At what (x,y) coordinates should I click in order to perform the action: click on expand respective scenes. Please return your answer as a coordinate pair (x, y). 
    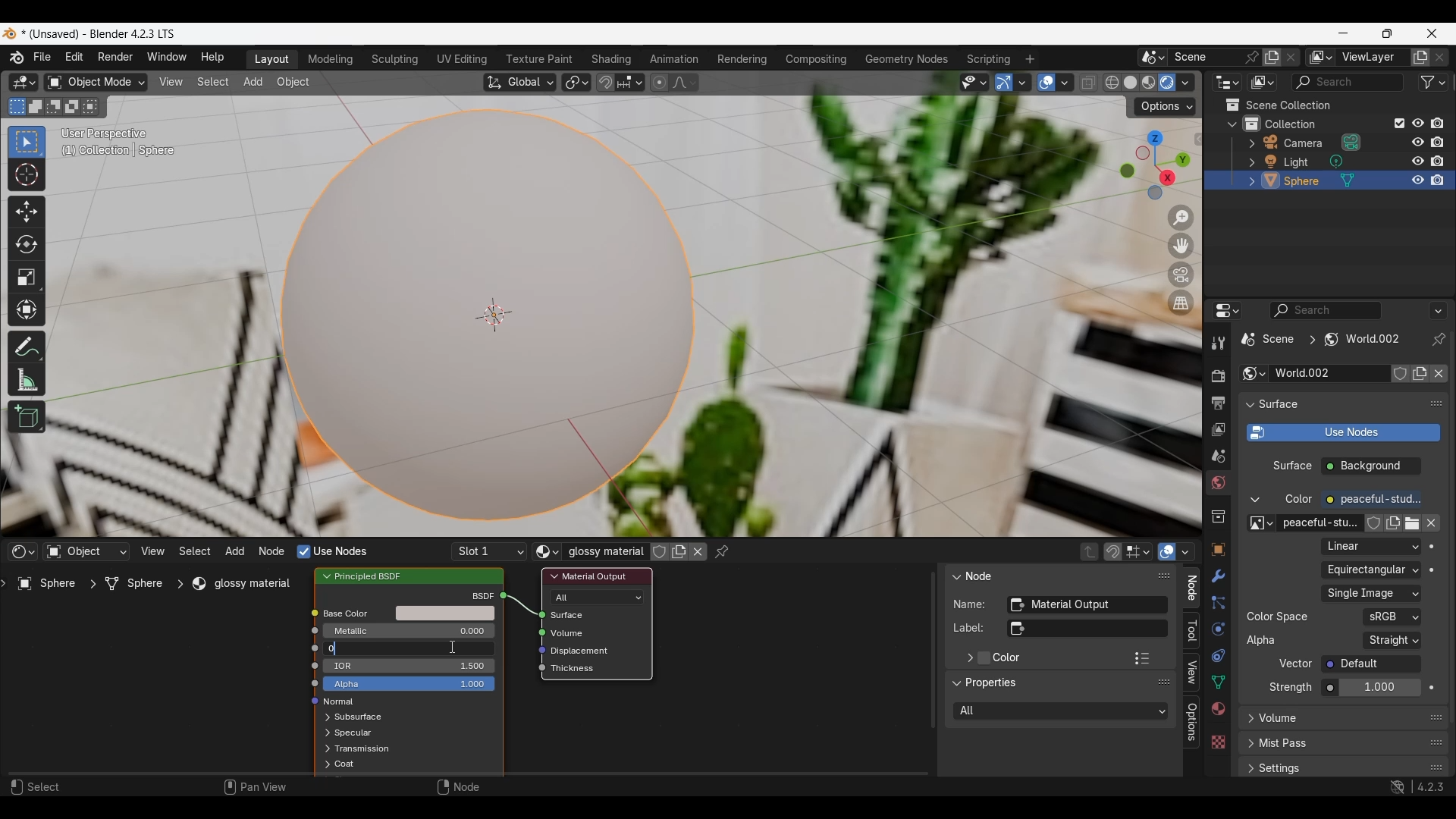
    Looking at the image, I should click on (322, 734).